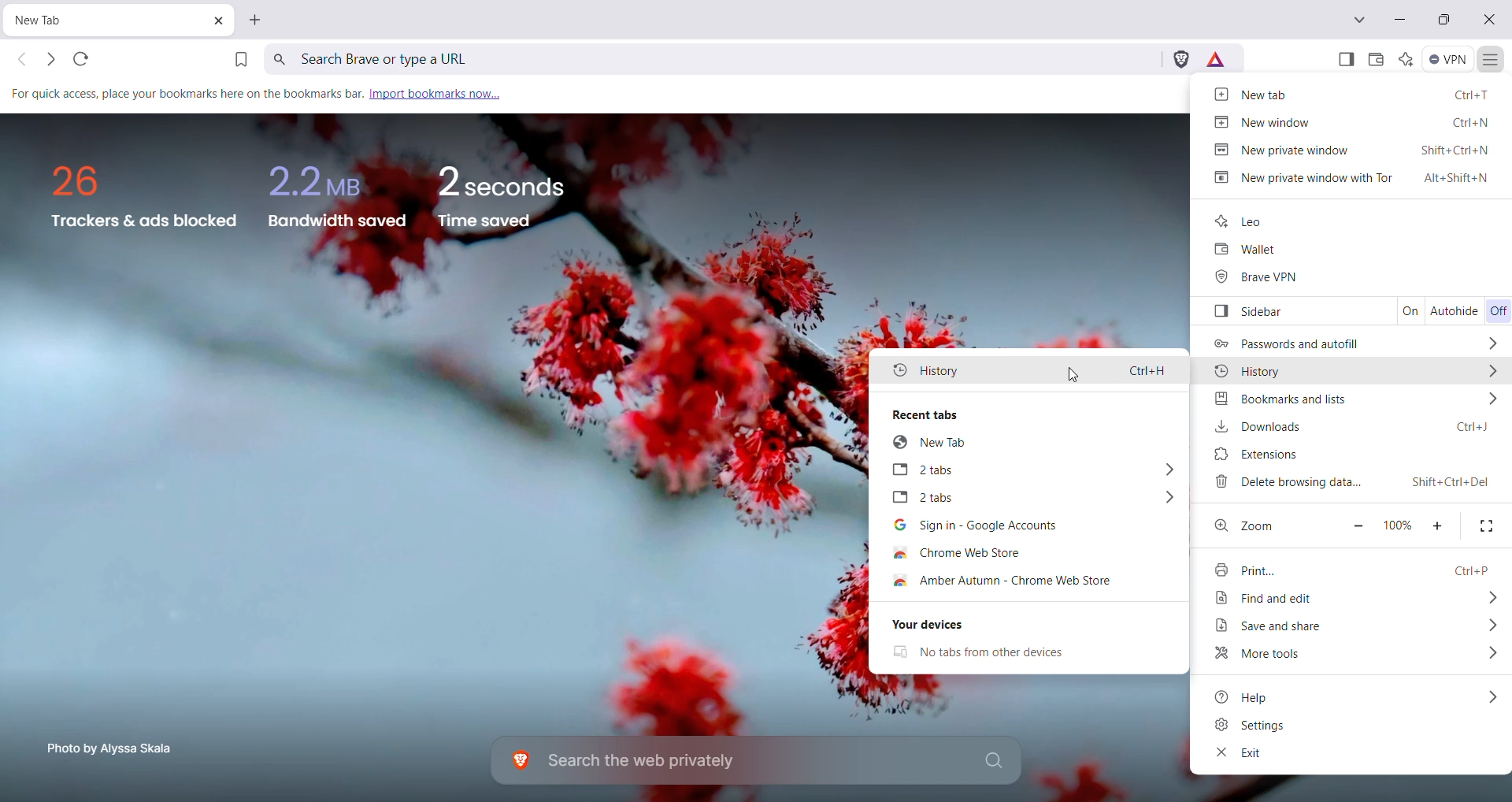 The height and width of the screenshot is (802, 1512). What do you see at coordinates (1070, 374) in the screenshot?
I see `cursor` at bounding box center [1070, 374].